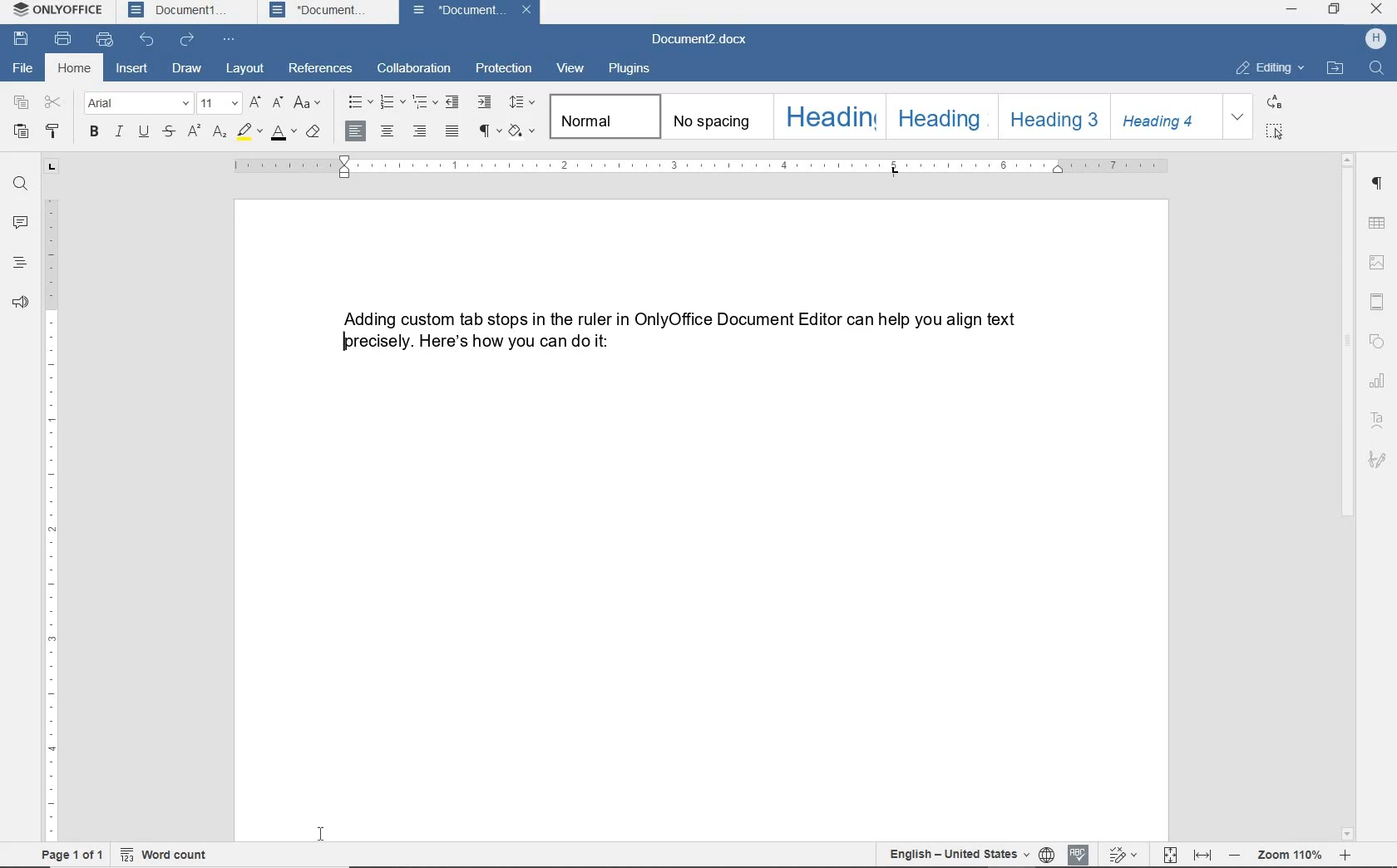  I want to click on decrement font size, so click(277, 104).